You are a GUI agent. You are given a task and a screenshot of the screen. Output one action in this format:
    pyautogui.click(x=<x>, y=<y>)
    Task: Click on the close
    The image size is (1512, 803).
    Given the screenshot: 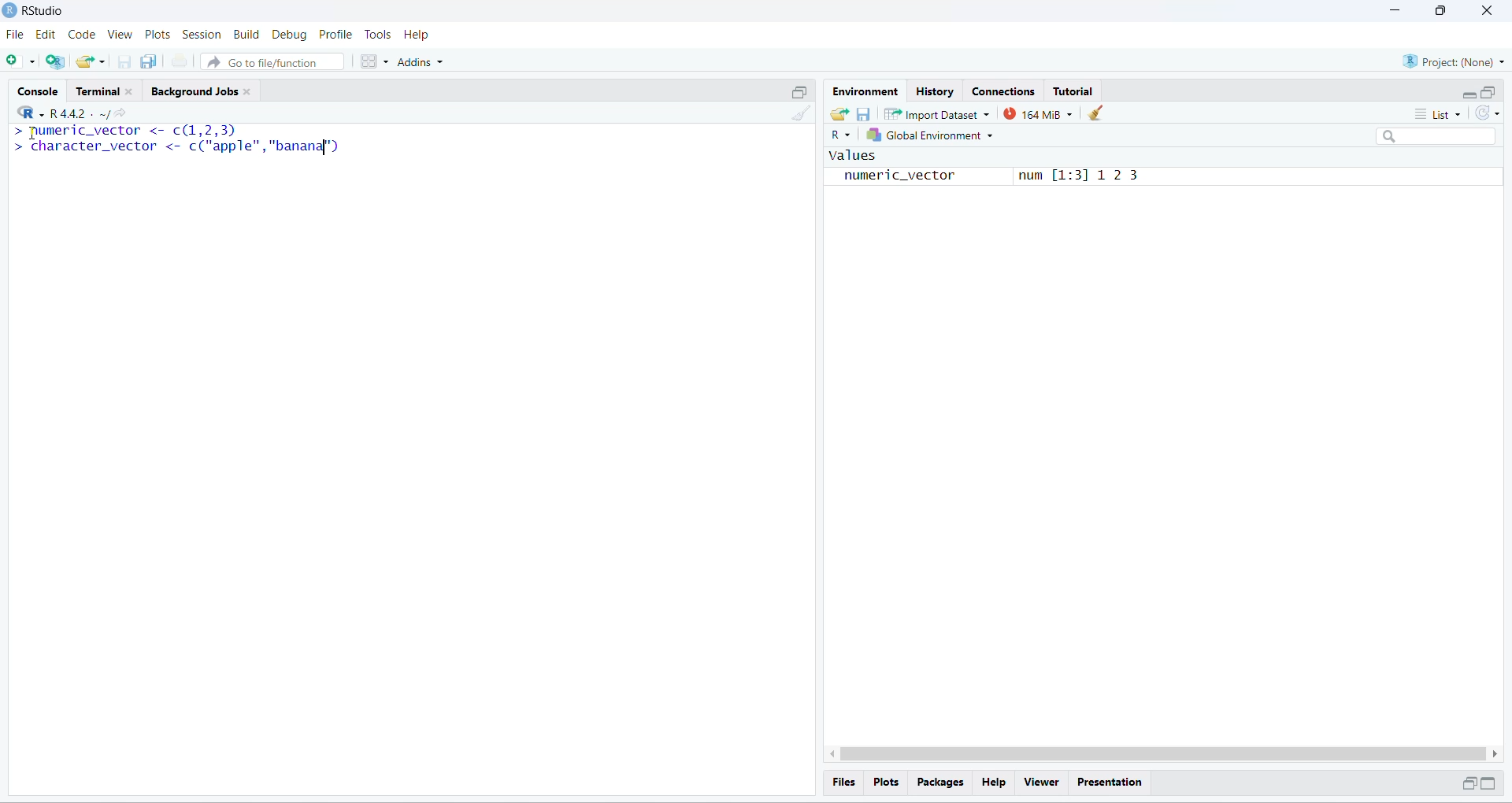 What is the action you would take?
    pyautogui.click(x=1485, y=10)
    